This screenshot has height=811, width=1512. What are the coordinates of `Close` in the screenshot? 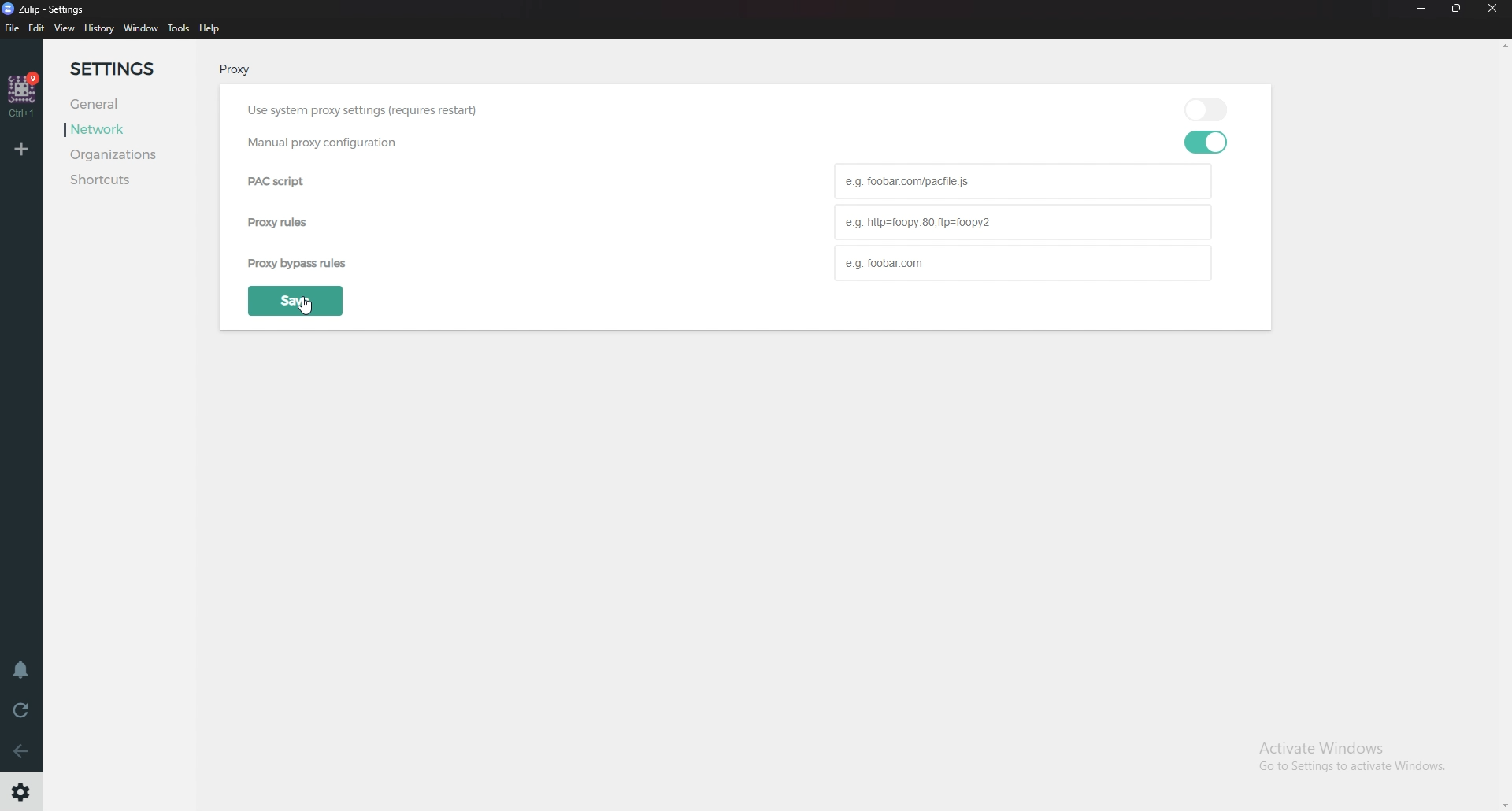 It's located at (1495, 13).